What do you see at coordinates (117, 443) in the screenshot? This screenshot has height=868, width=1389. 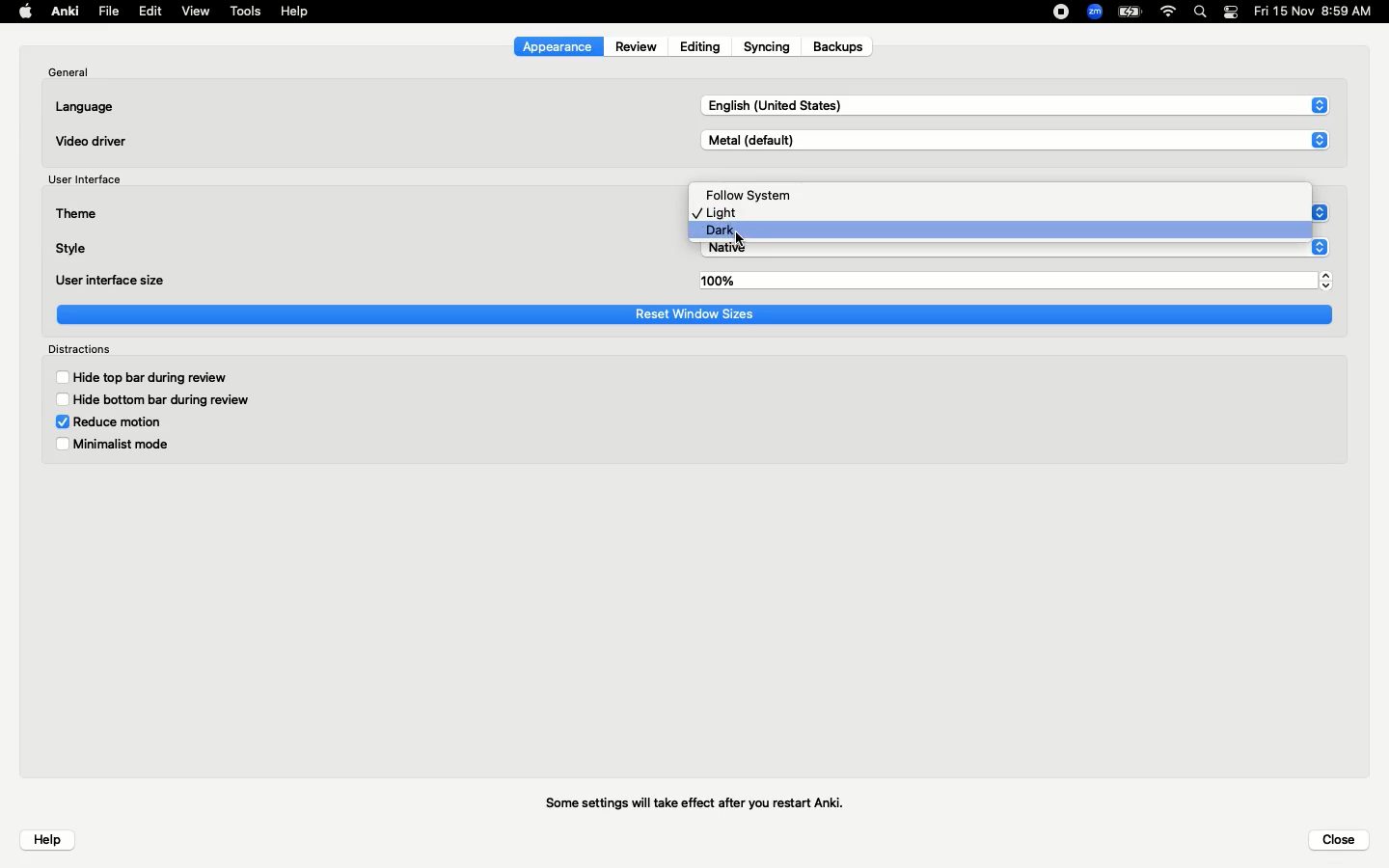 I see `Minimalist mode` at bounding box center [117, 443].